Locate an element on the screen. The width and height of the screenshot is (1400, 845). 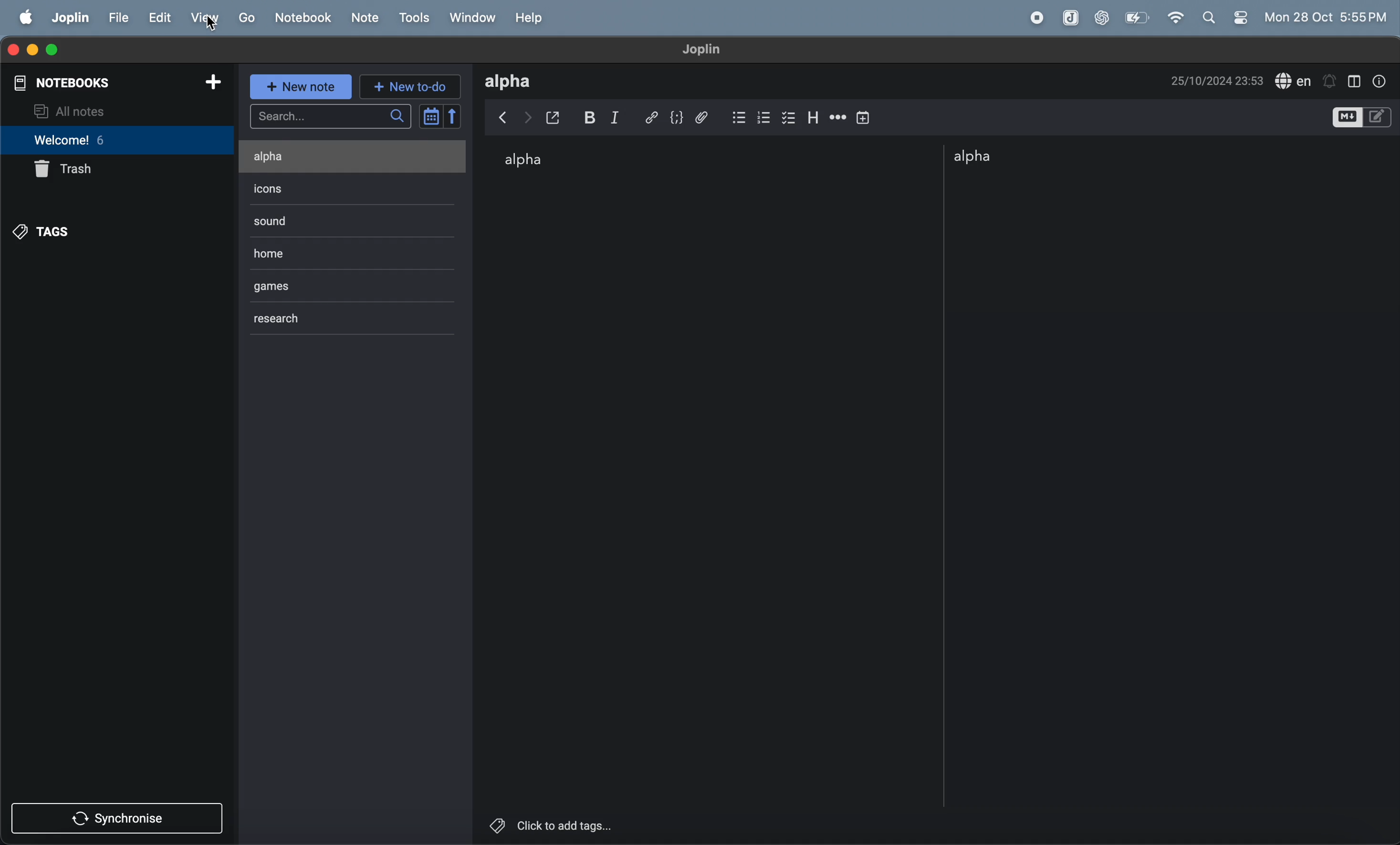
welcome is located at coordinates (95, 141).